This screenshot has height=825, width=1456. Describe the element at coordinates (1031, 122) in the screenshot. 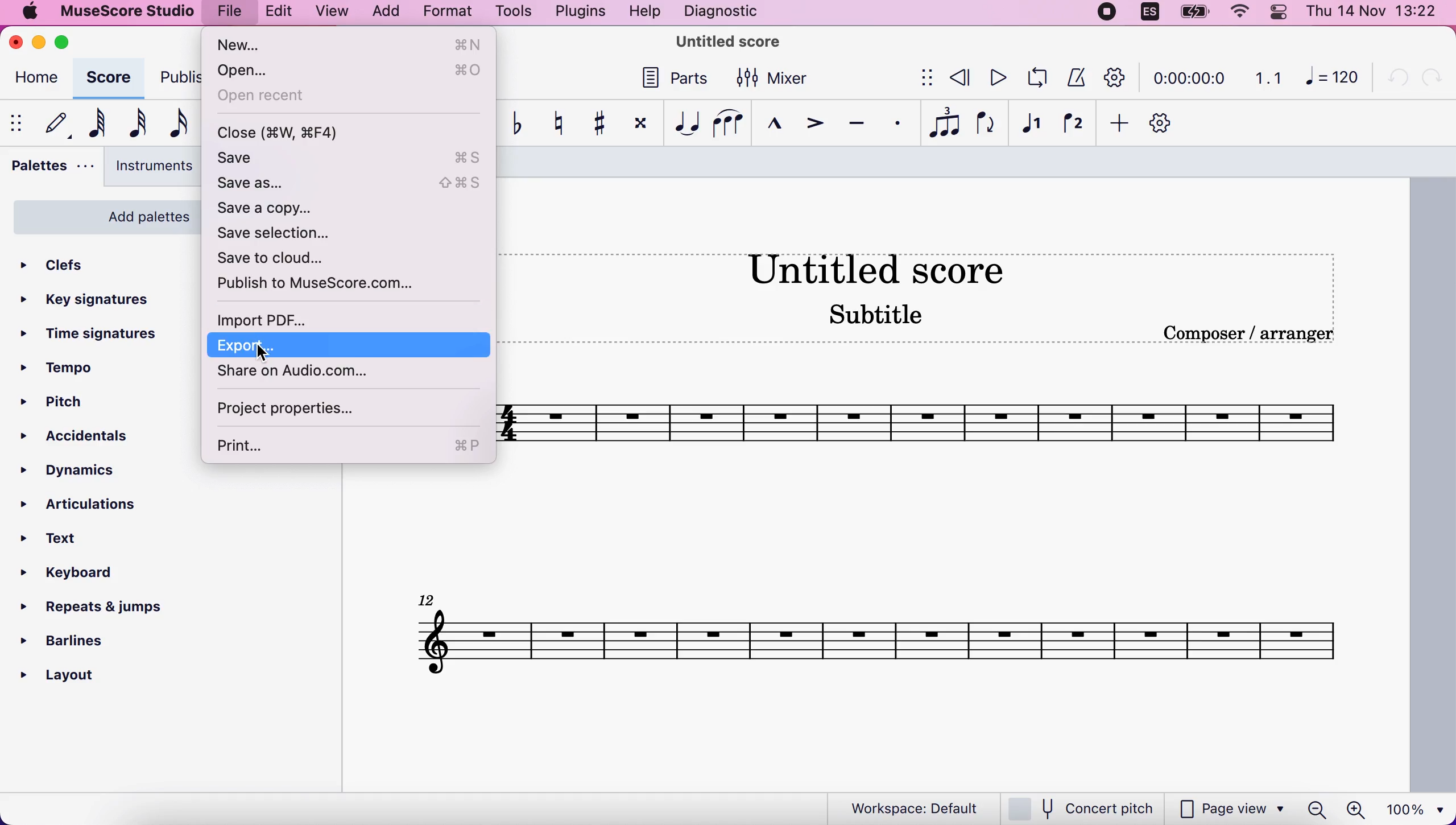

I see `voice 1` at that location.